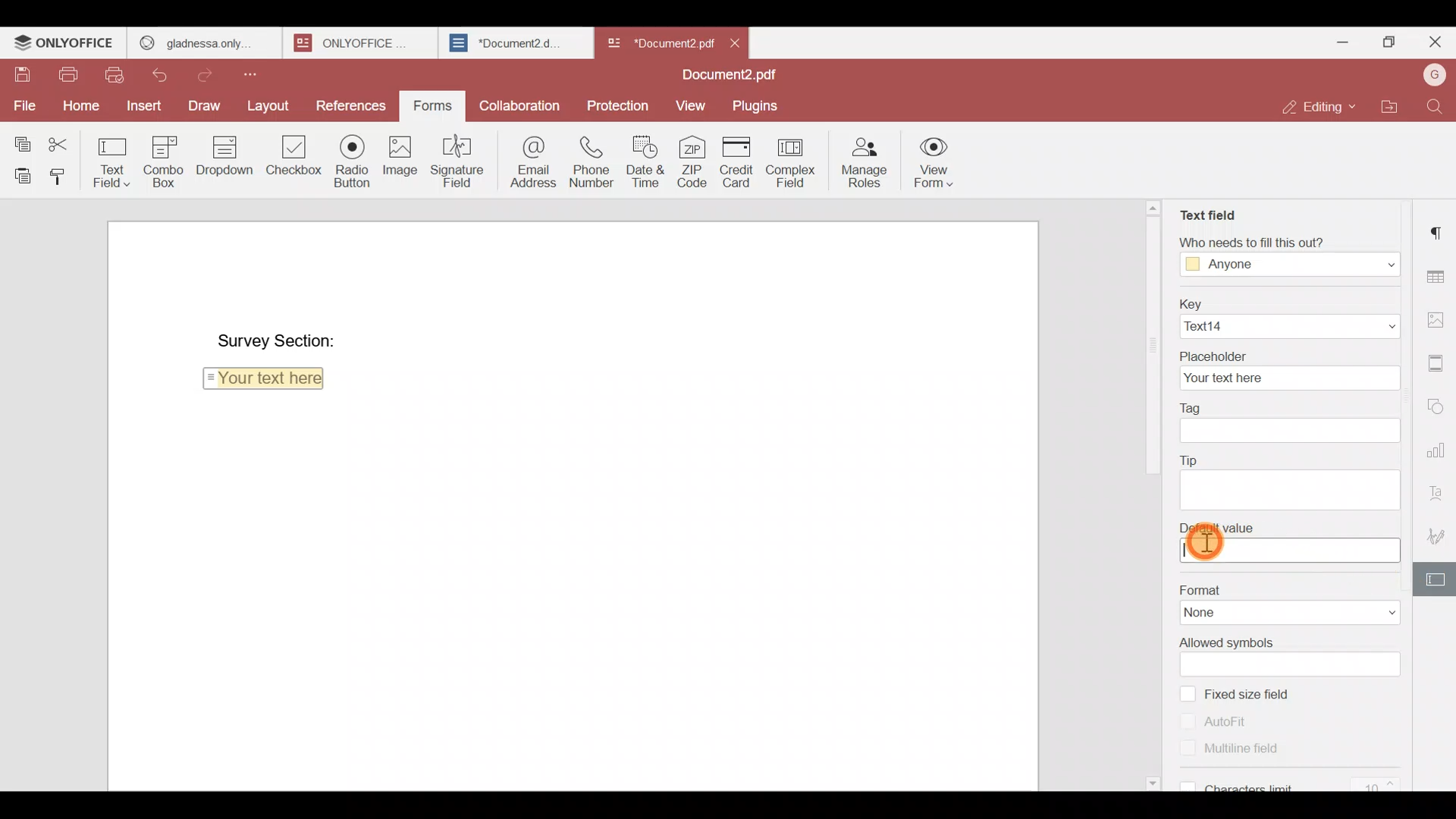 The image size is (1456, 819). What do you see at coordinates (144, 109) in the screenshot?
I see `Insert` at bounding box center [144, 109].